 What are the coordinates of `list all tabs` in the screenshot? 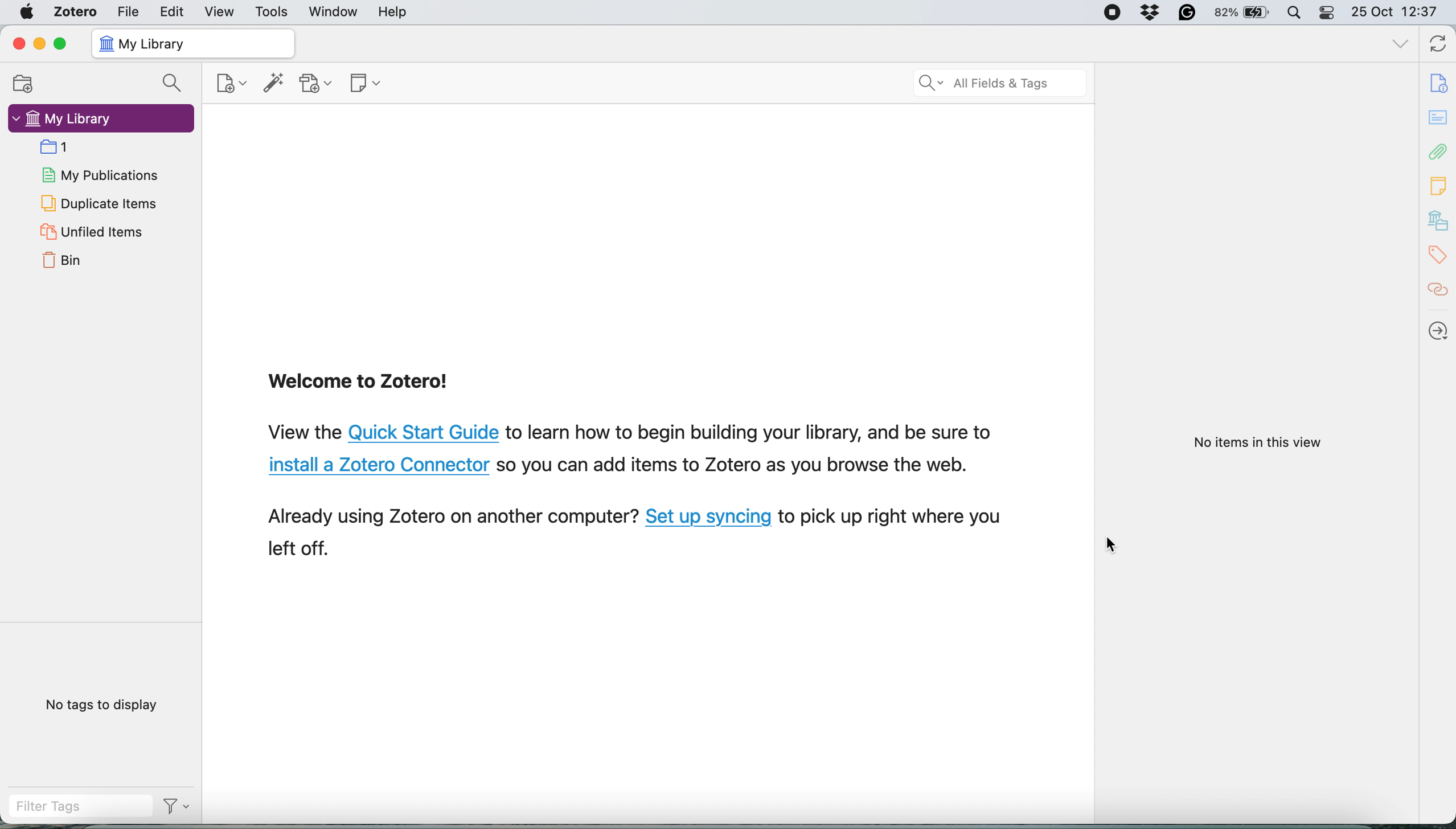 It's located at (1400, 44).